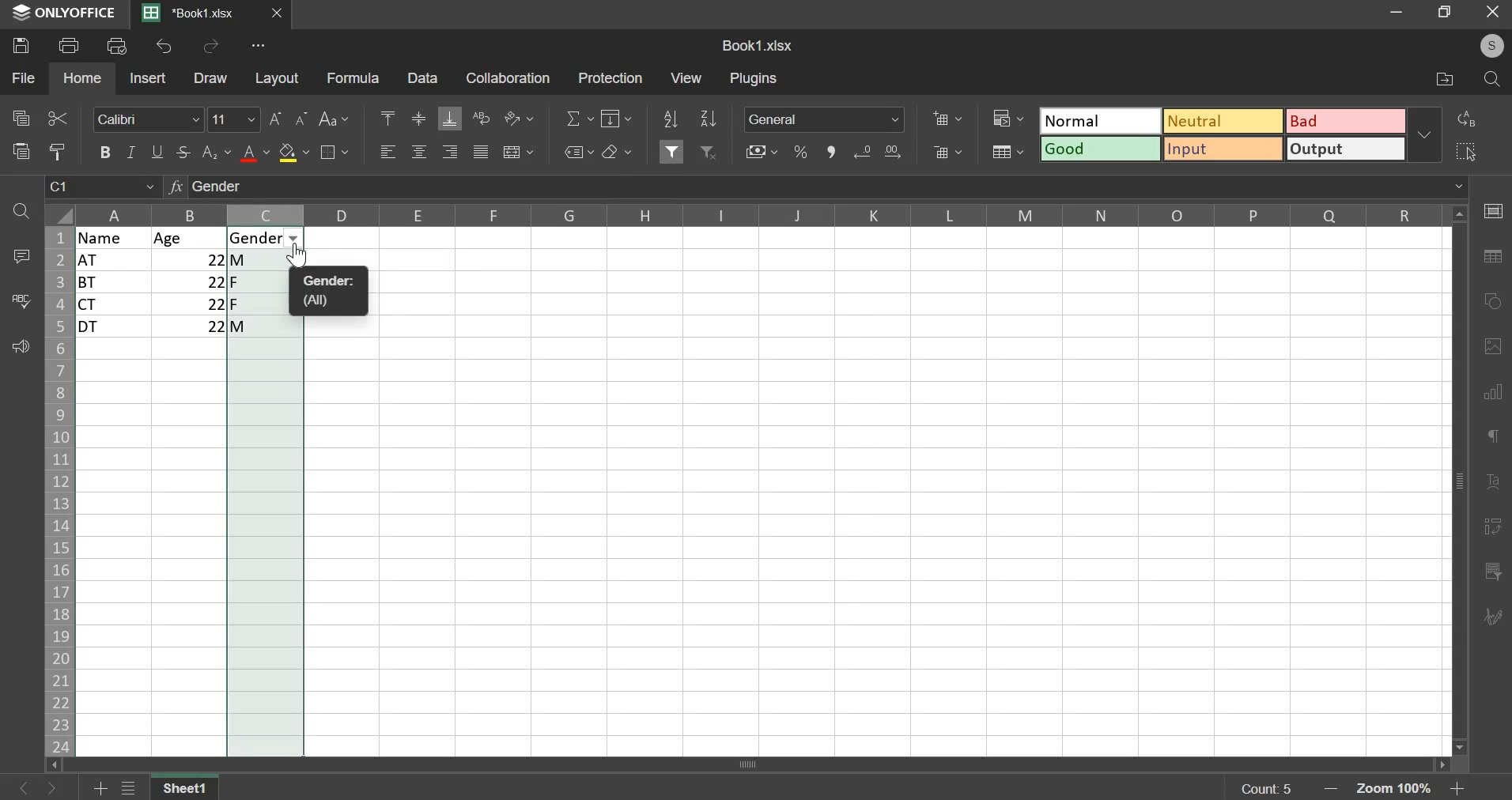 The width and height of the screenshot is (1512, 800). I want to click on paragraph, so click(1490, 436).